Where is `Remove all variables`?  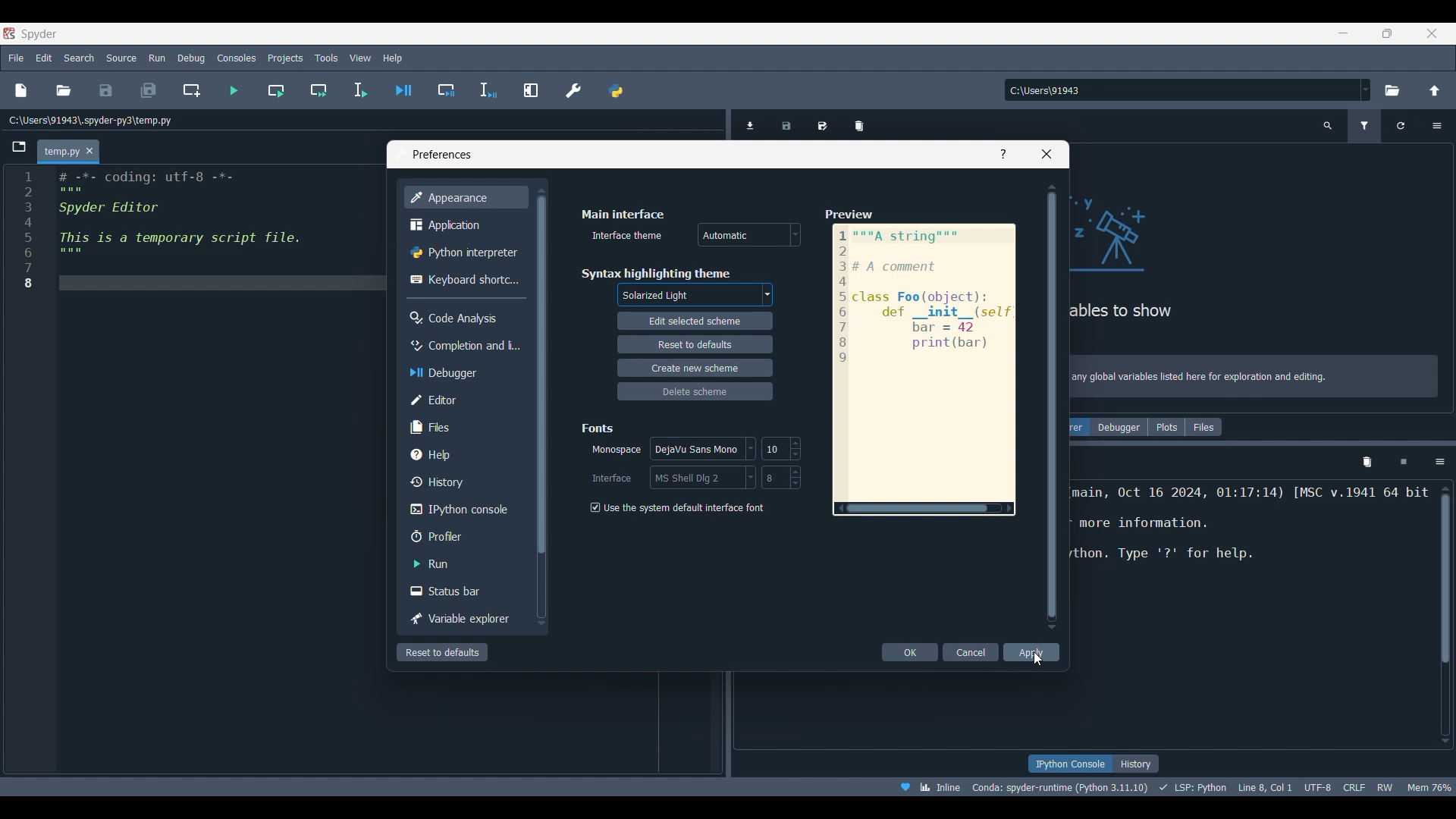 Remove all variables is located at coordinates (859, 122).